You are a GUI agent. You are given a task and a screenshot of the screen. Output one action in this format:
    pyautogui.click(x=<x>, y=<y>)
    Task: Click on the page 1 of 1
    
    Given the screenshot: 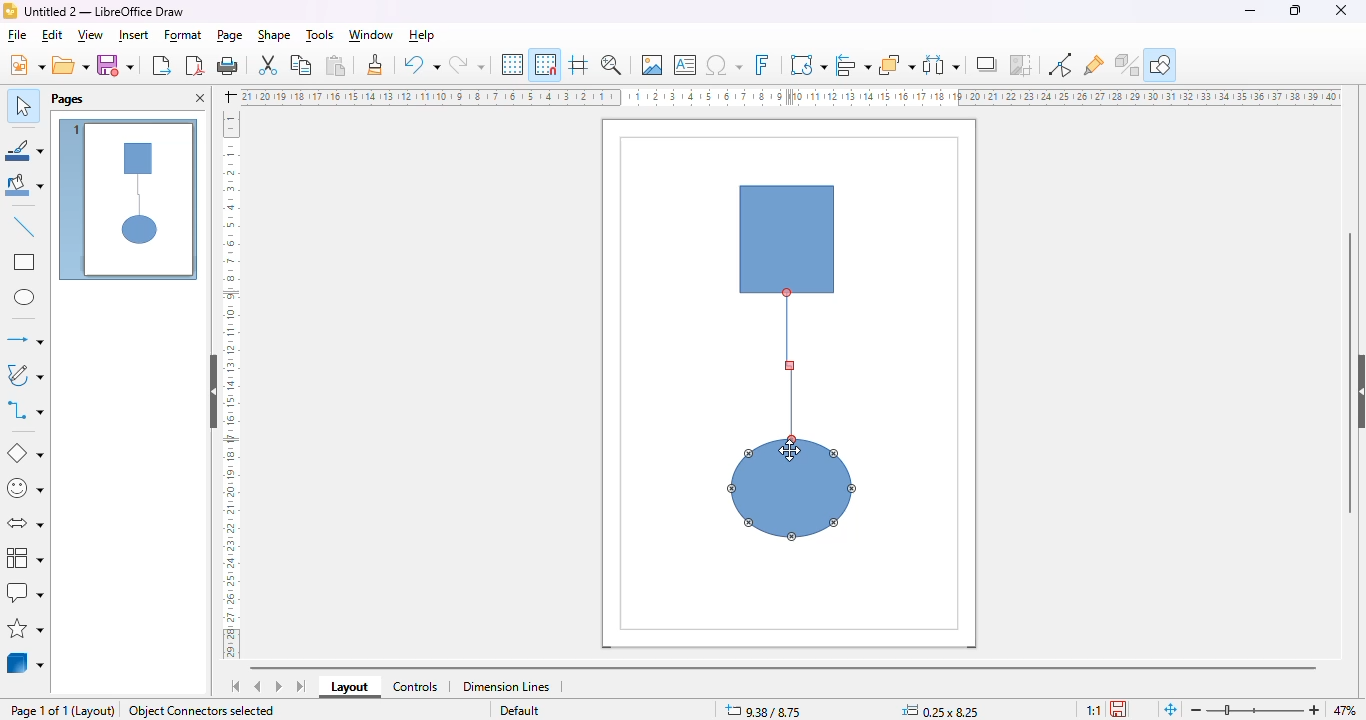 What is the action you would take?
    pyautogui.click(x=39, y=711)
    